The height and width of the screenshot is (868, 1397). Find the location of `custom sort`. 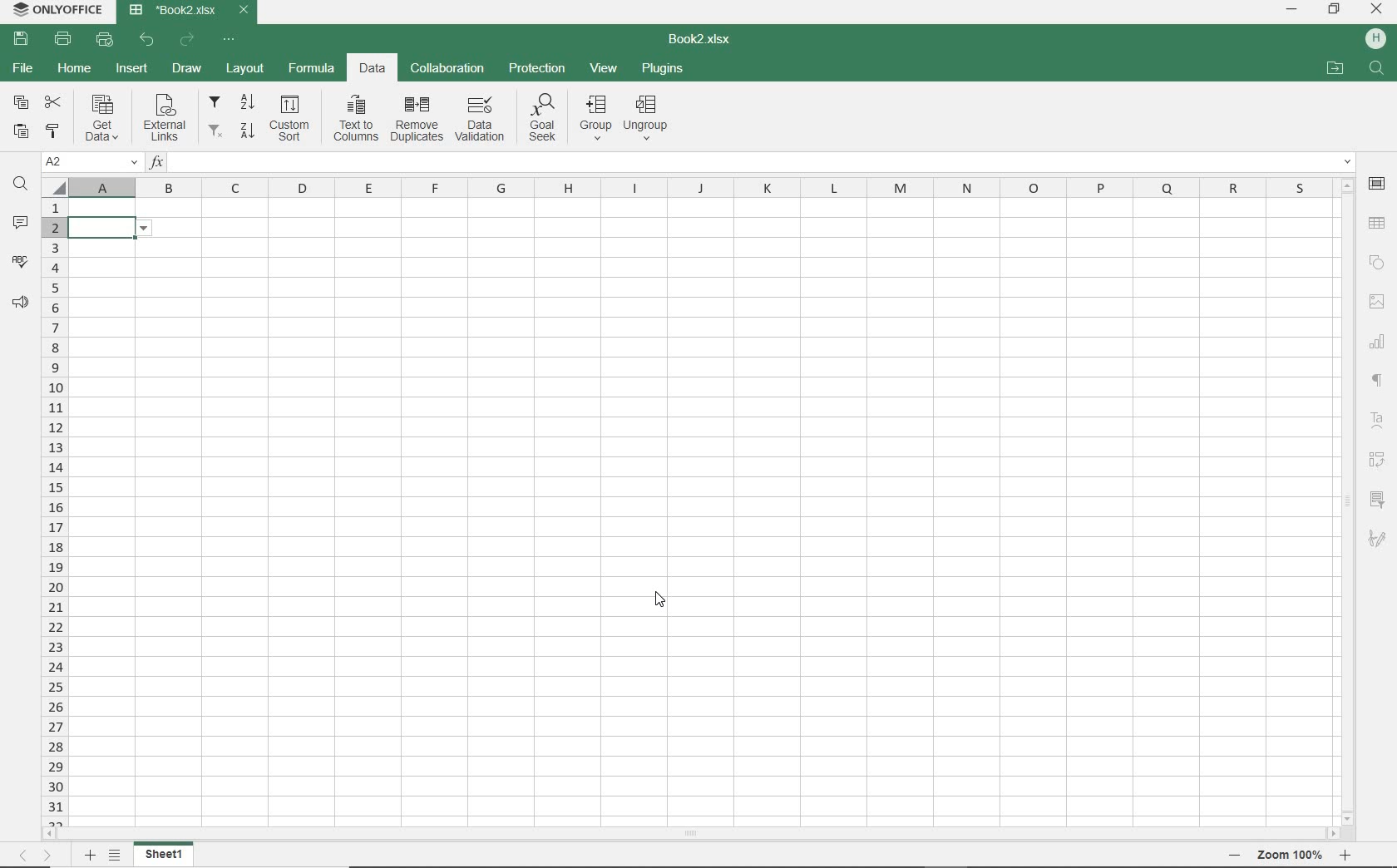

custom sort is located at coordinates (292, 118).